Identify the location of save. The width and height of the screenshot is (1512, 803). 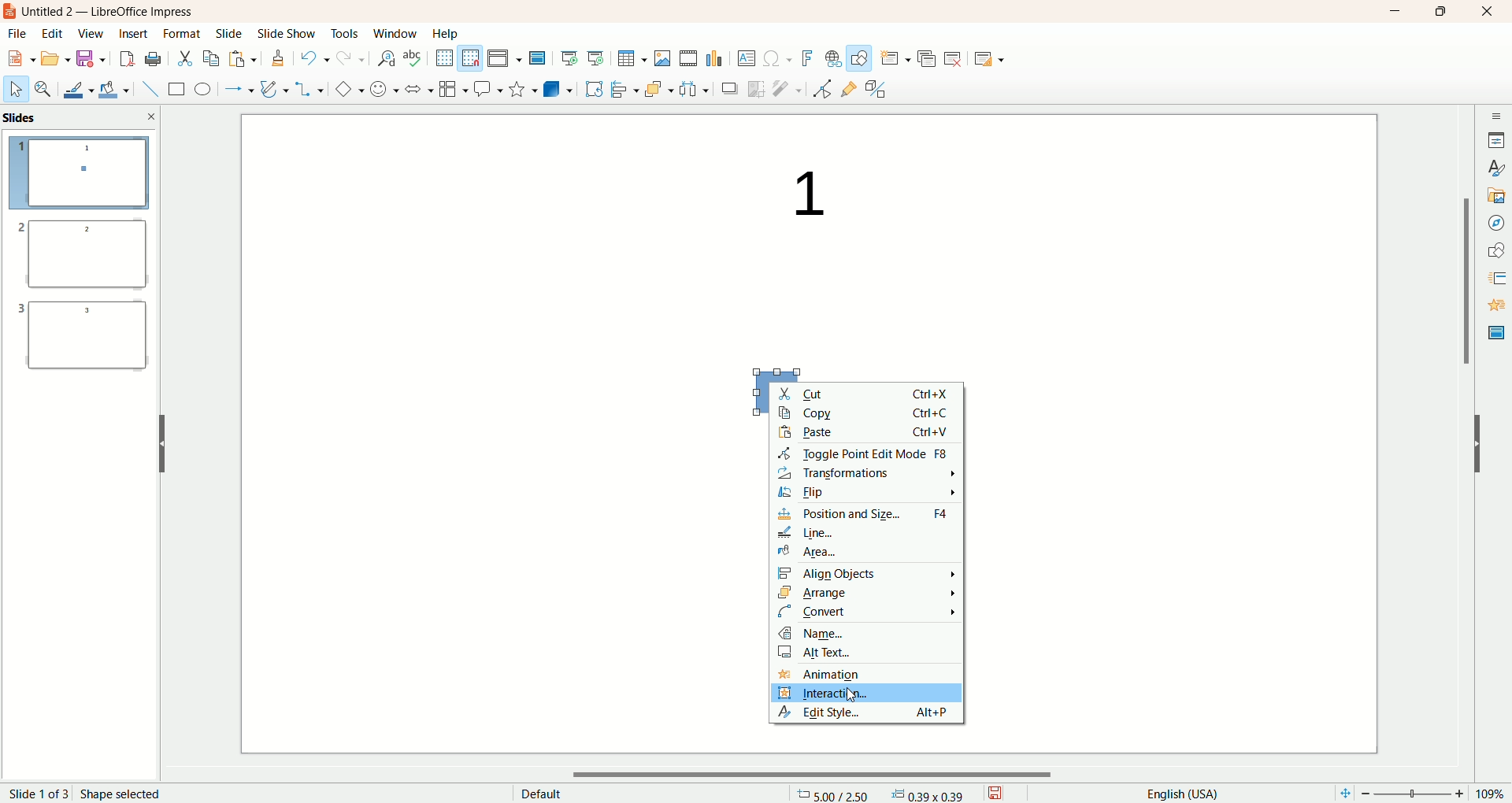
(91, 60).